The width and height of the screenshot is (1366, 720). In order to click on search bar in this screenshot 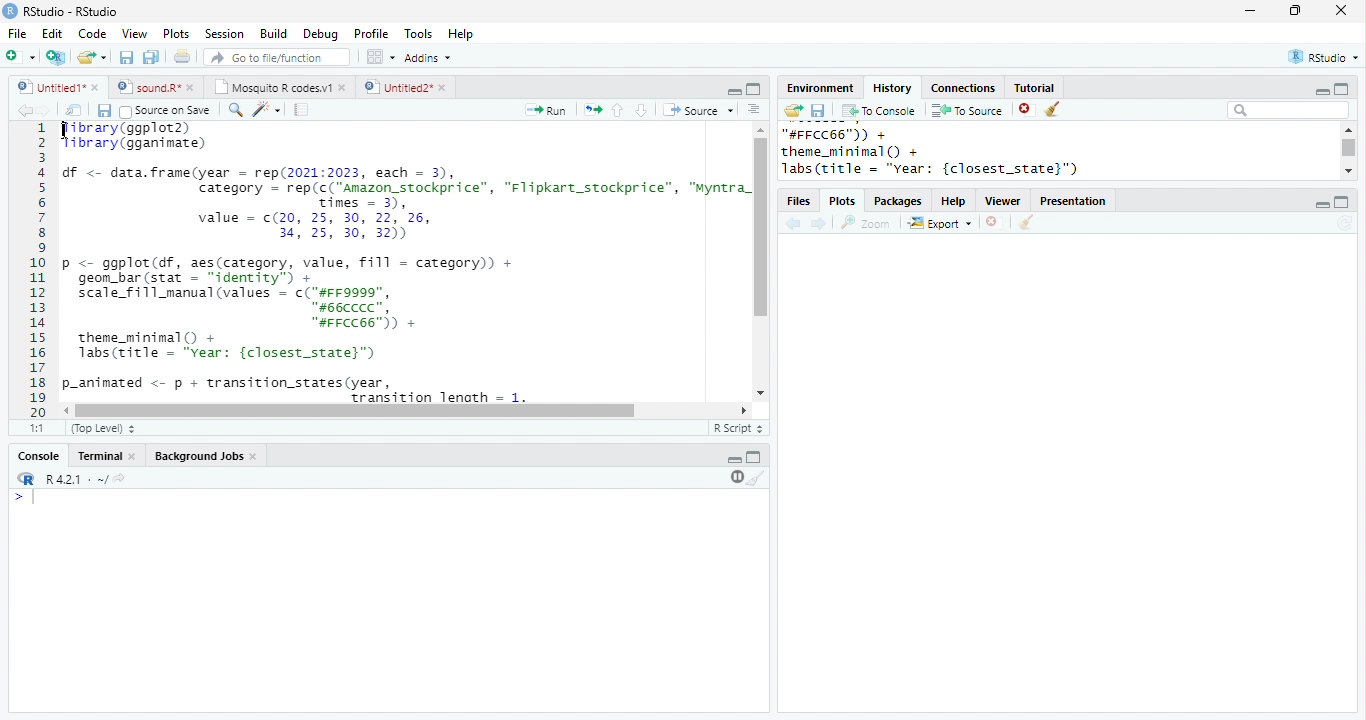, I will do `click(1288, 110)`.